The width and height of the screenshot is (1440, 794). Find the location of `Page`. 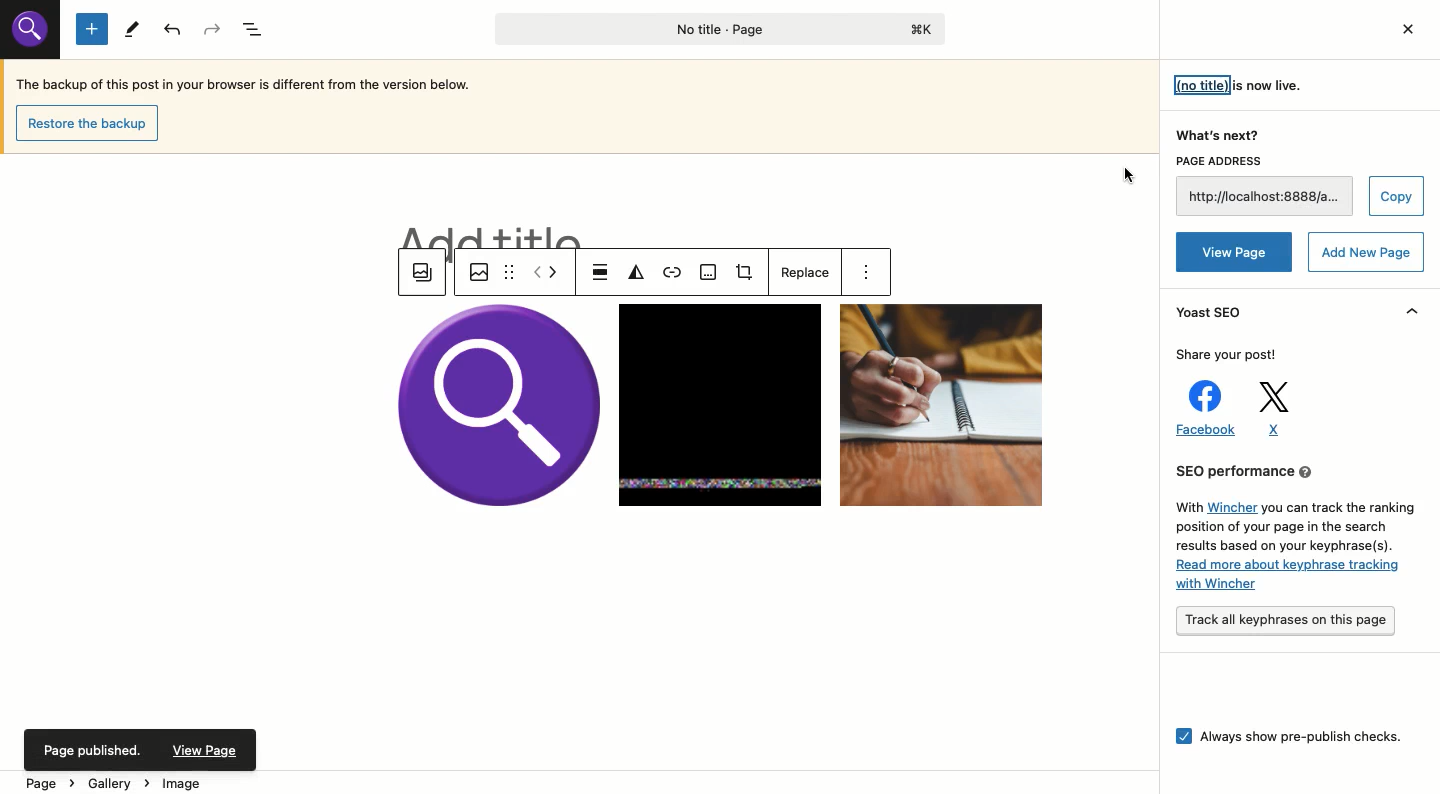

Page is located at coordinates (714, 30).